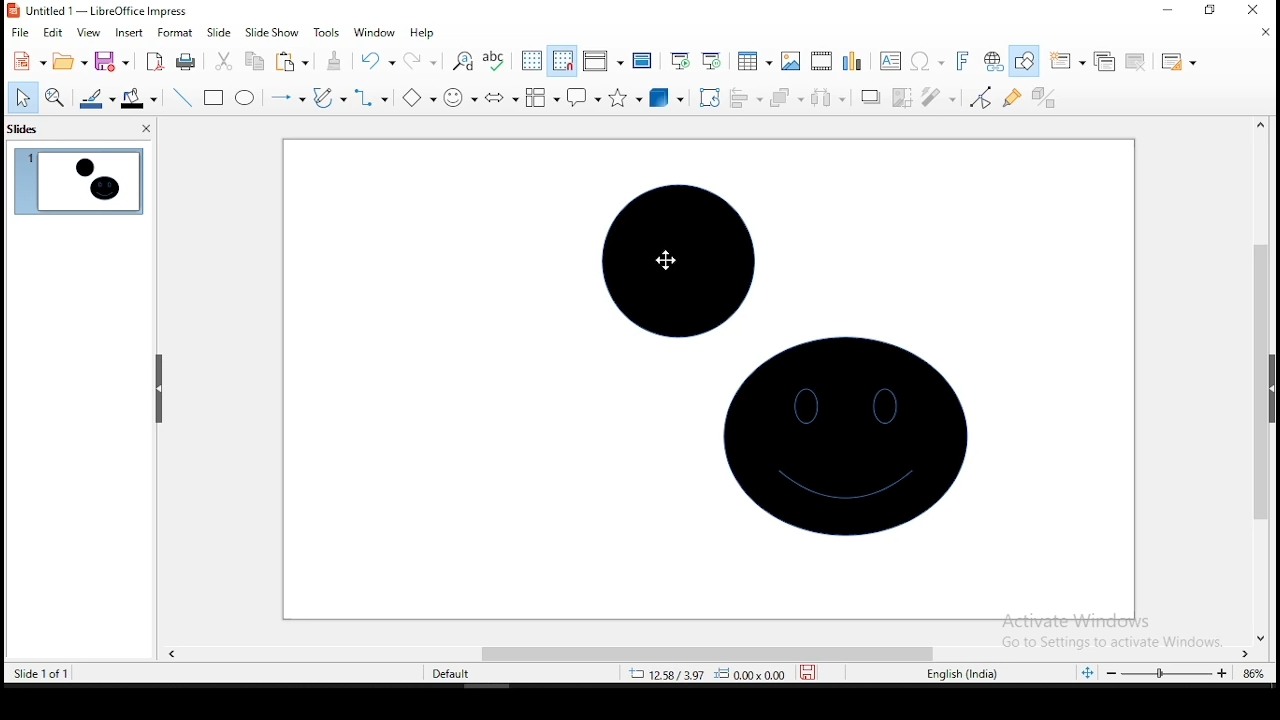 Image resolution: width=1280 pixels, height=720 pixels. Describe the element at coordinates (244, 97) in the screenshot. I see `ellipse` at that location.